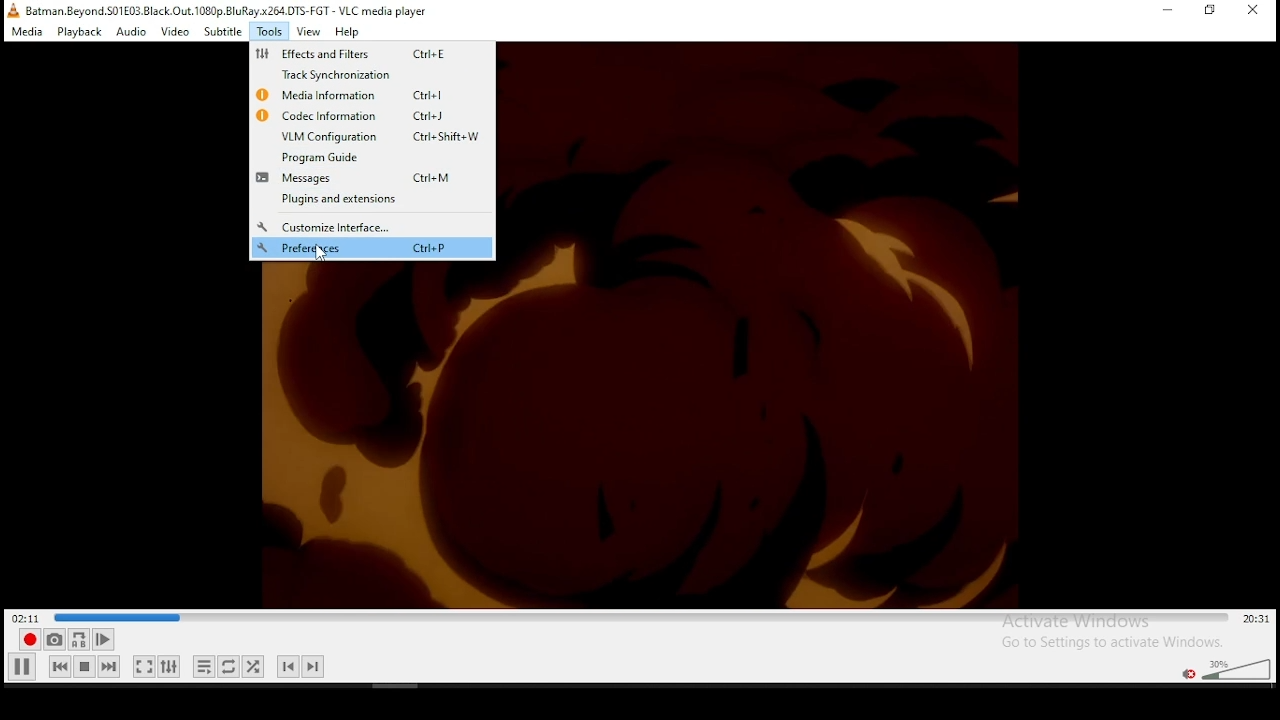 This screenshot has height=720, width=1280. I want to click on program guide, so click(342, 156).